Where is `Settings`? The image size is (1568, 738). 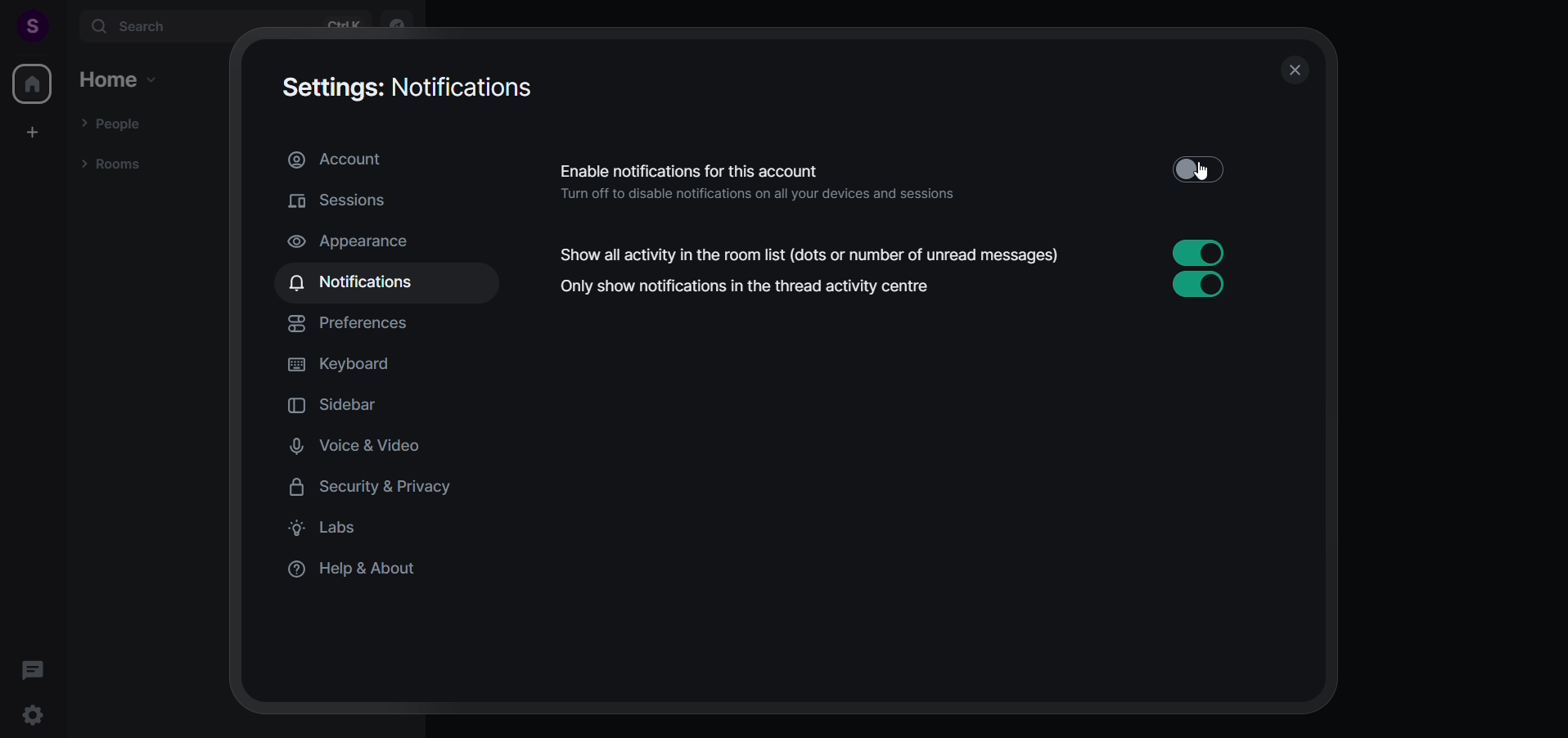 Settings is located at coordinates (35, 717).